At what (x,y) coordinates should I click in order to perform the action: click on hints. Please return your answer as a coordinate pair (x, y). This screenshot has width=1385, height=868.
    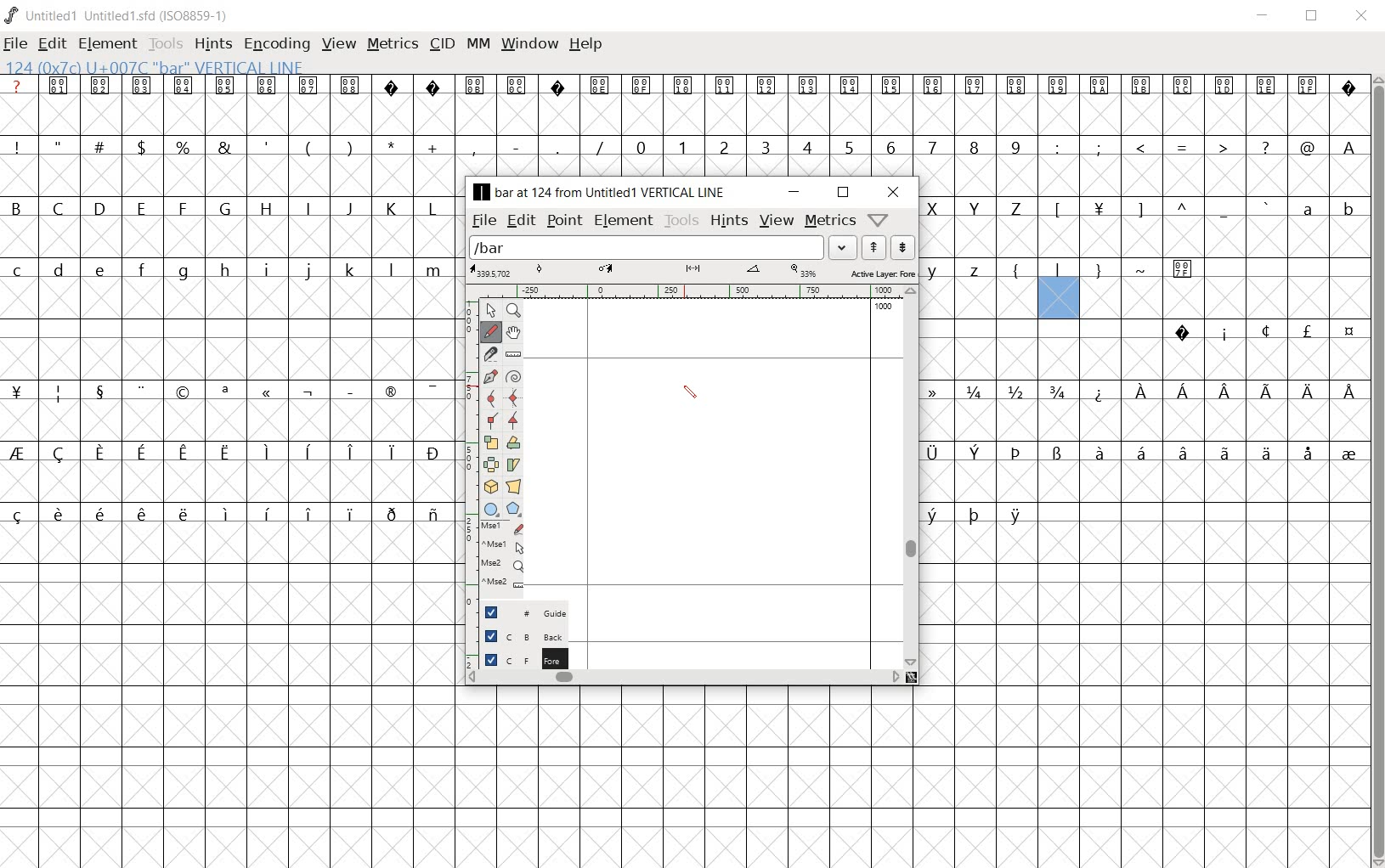
    Looking at the image, I should click on (728, 220).